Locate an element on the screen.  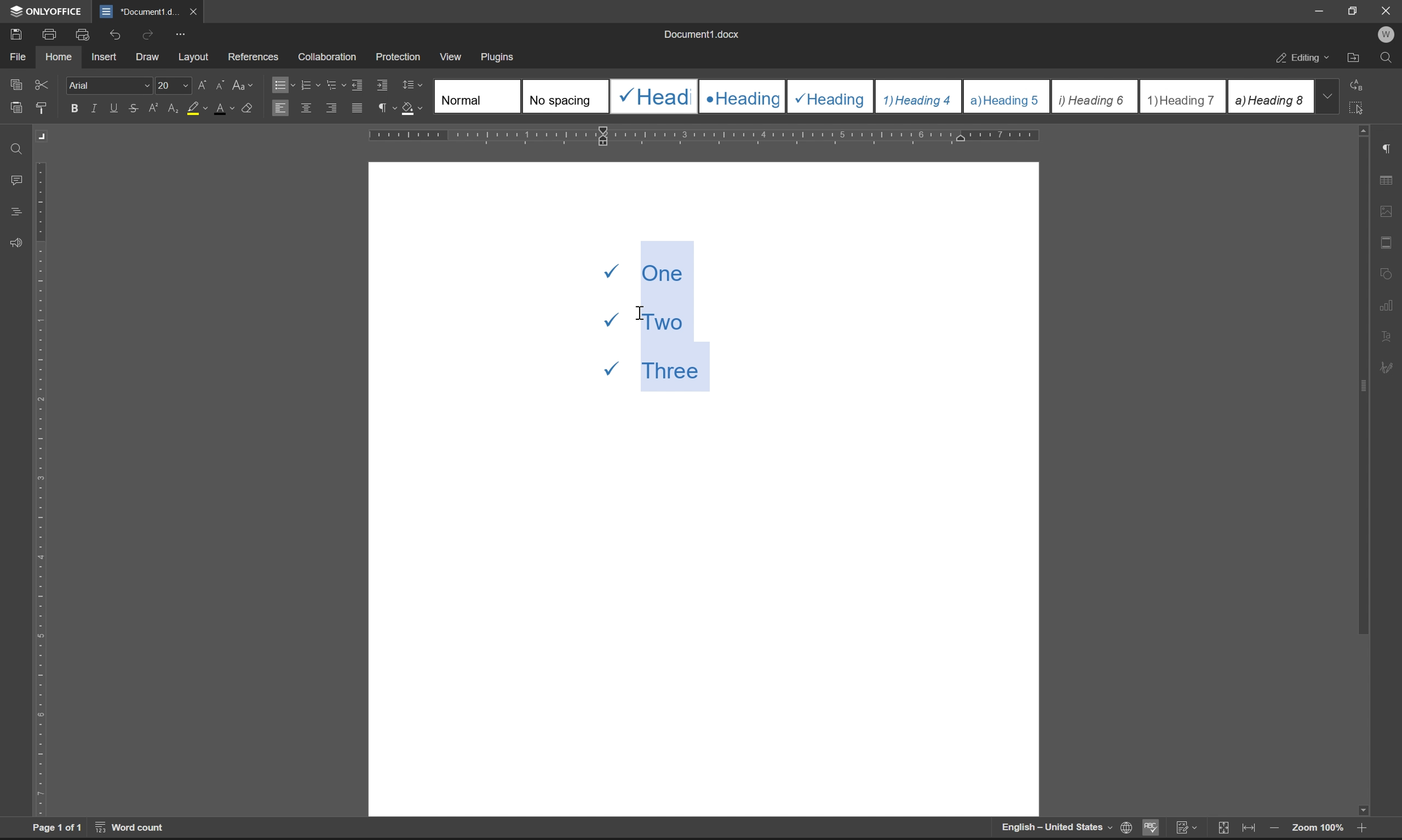
cursor is located at coordinates (639, 314).